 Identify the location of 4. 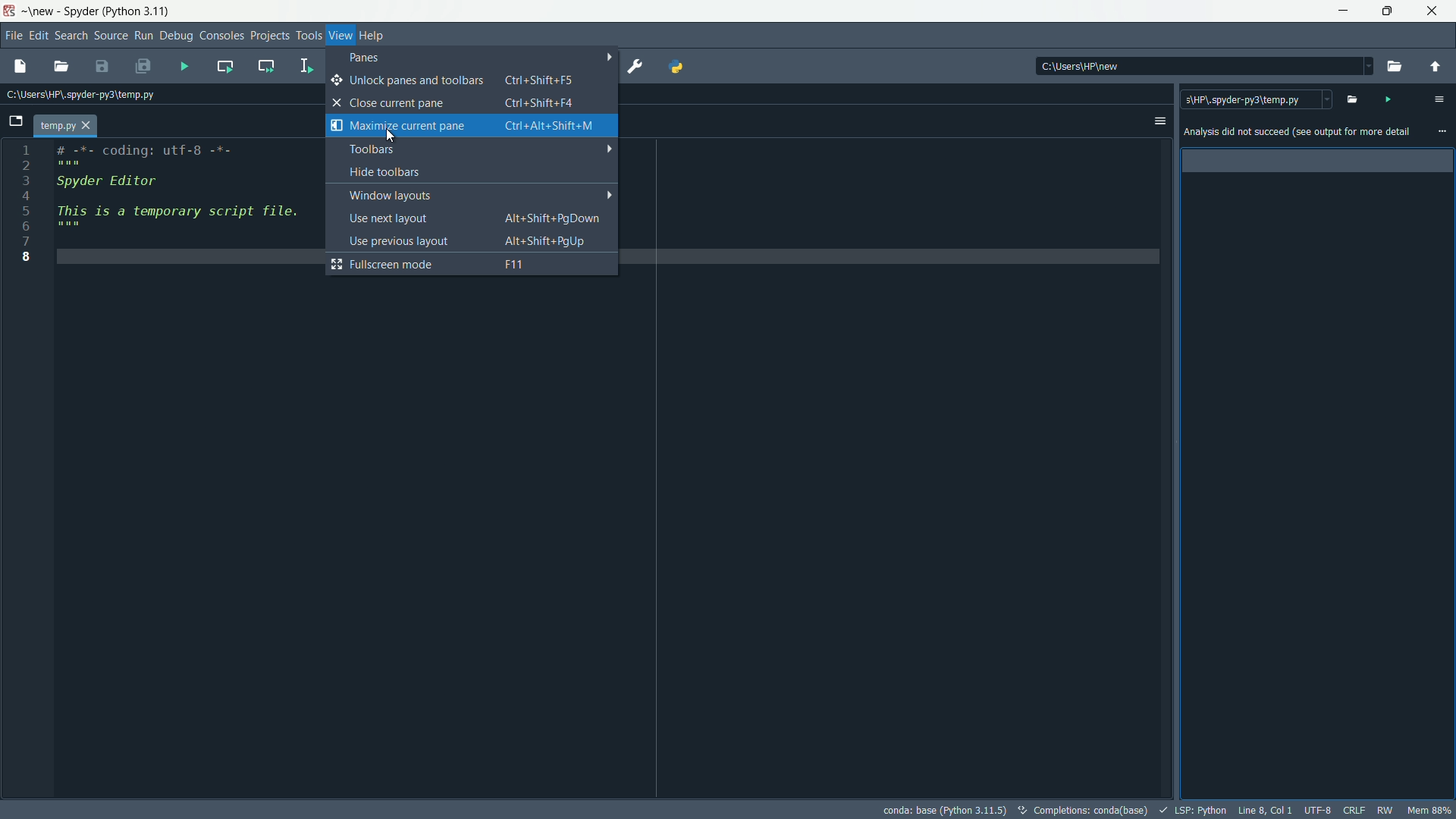
(30, 197).